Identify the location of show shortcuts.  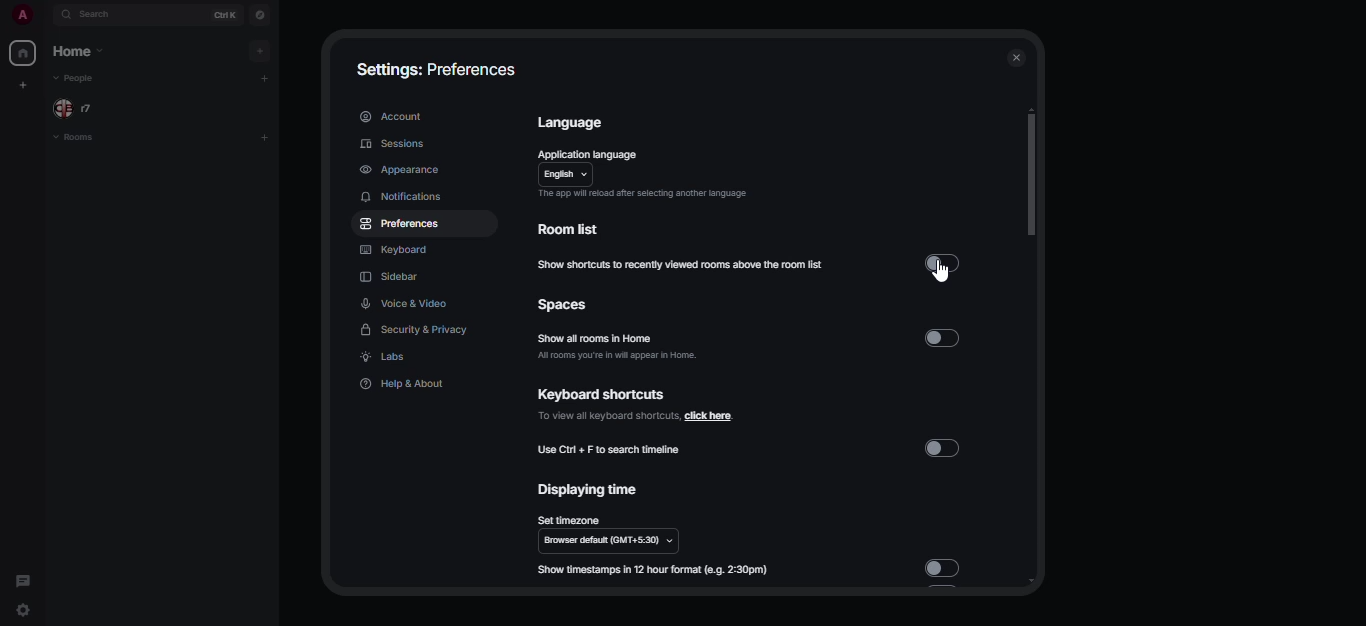
(678, 265).